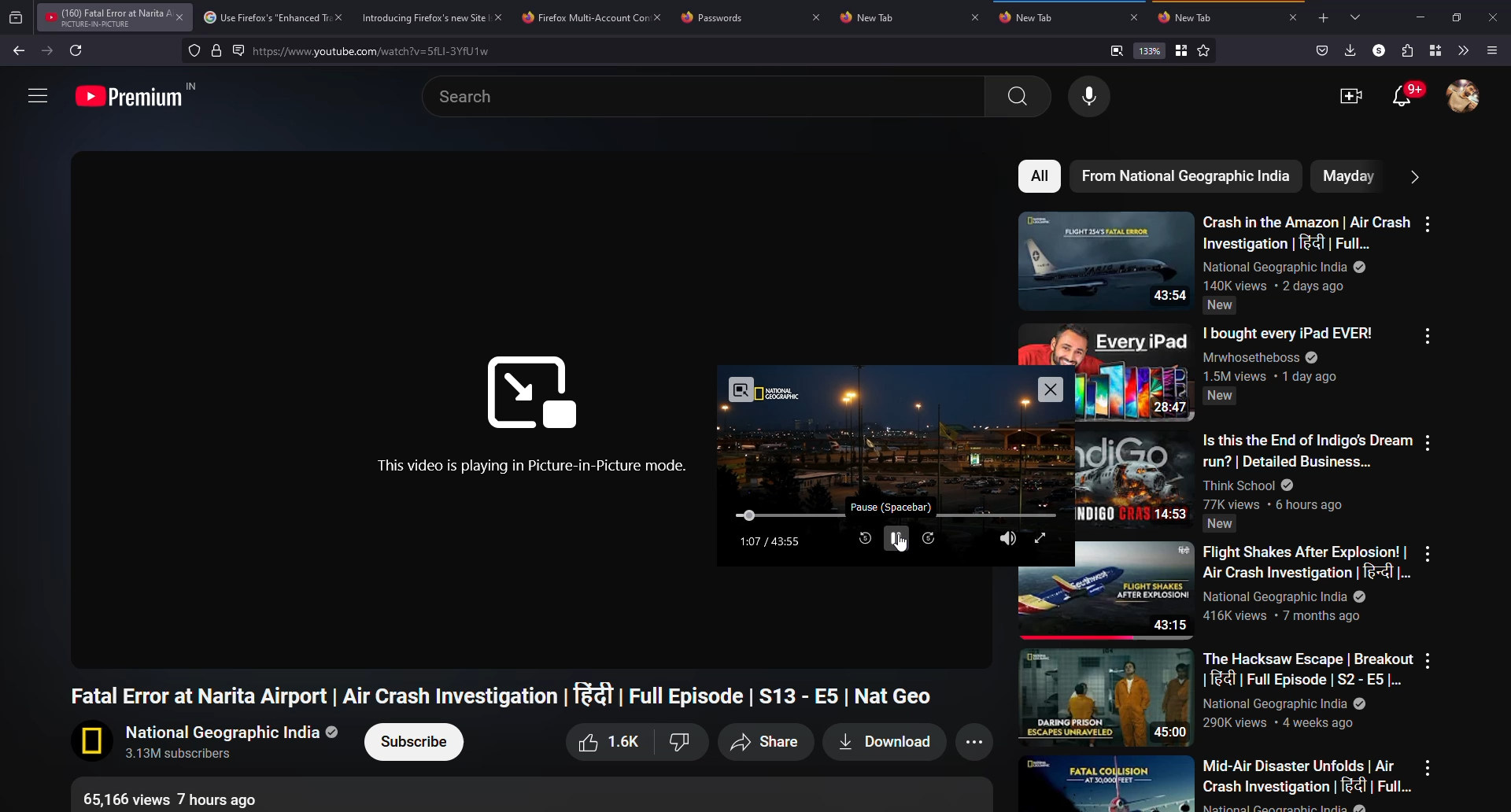 Image resolution: width=1511 pixels, height=812 pixels. I want to click on exit, so click(742, 389).